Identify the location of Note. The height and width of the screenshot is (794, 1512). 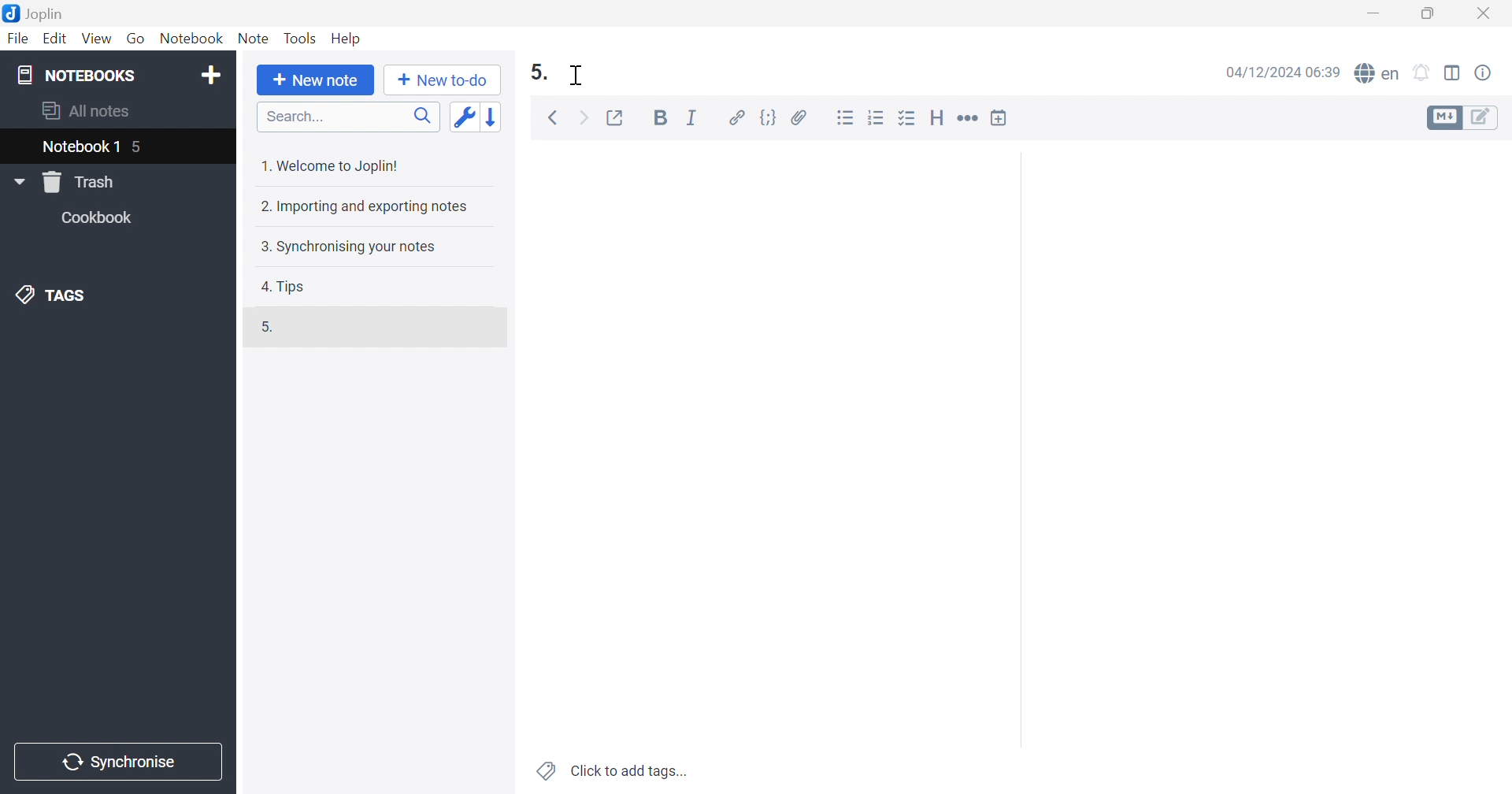
(253, 37).